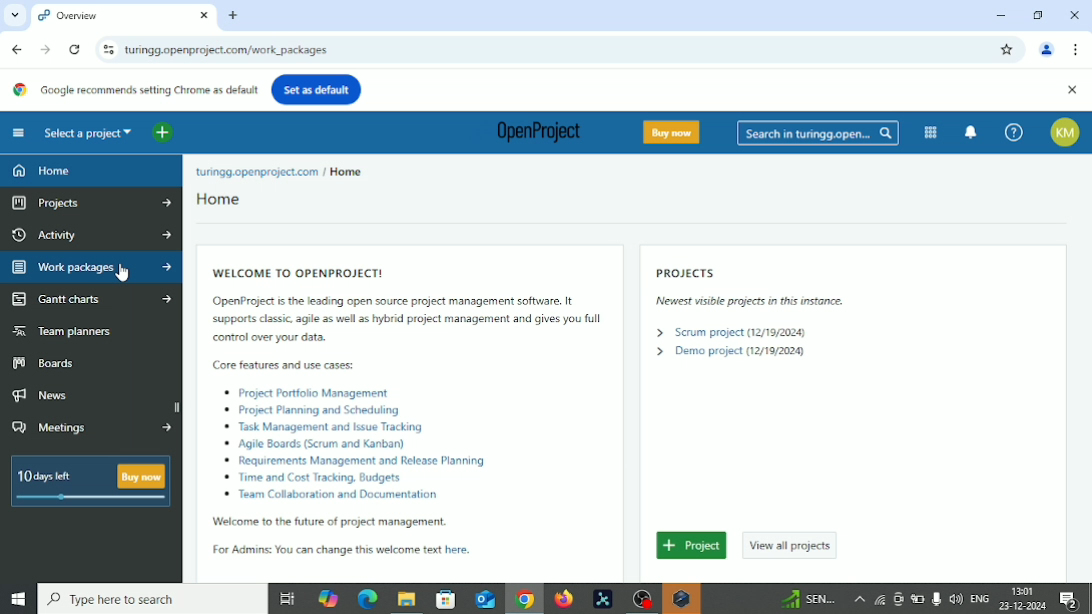 This screenshot has height=614, width=1092. I want to click on Google recommends setting Chrome as default, so click(133, 90).